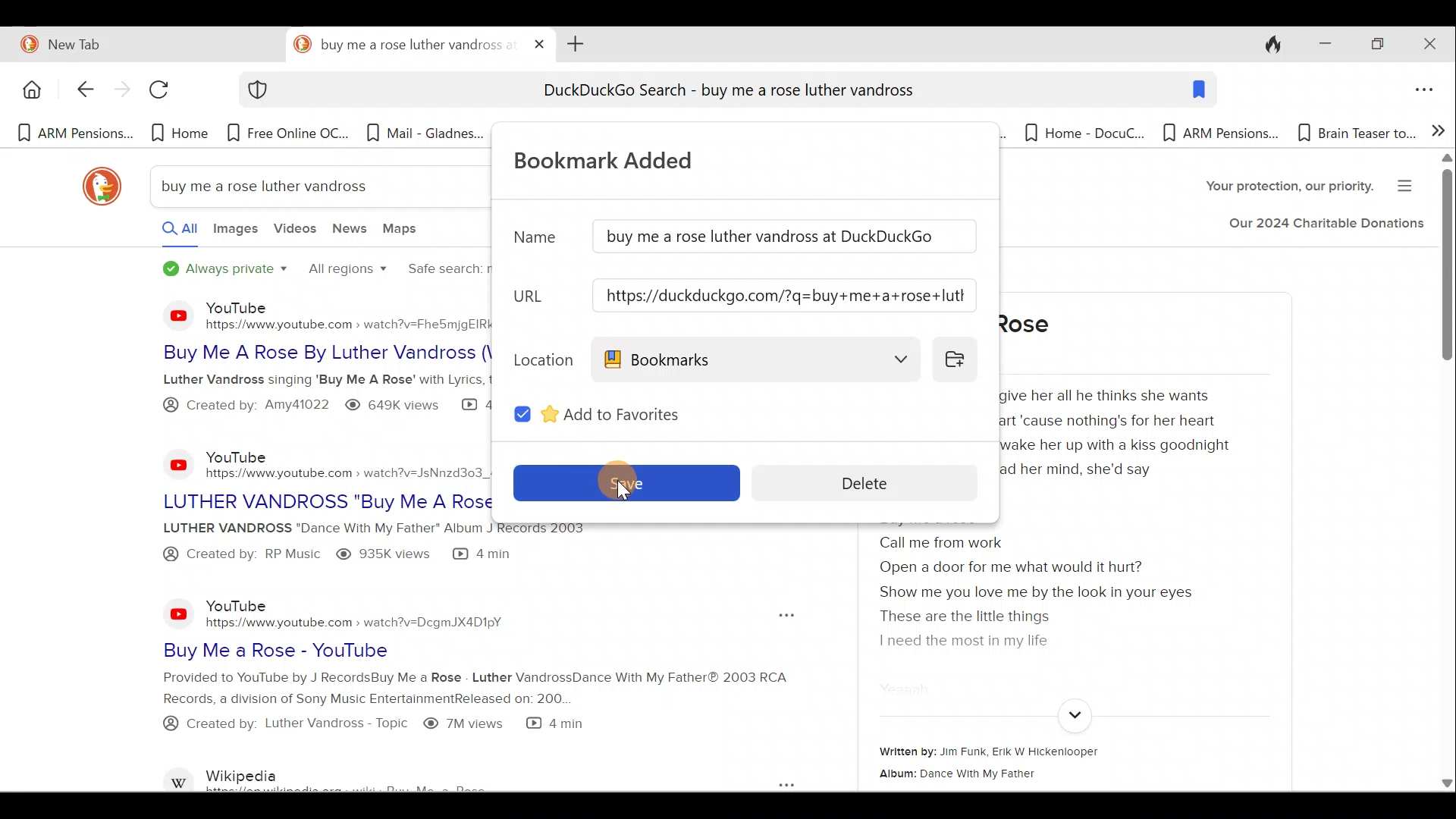  What do you see at coordinates (1326, 227) in the screenshot?
I see `Our 2024 Charitable Donations` at bounding box center [1326, 227].